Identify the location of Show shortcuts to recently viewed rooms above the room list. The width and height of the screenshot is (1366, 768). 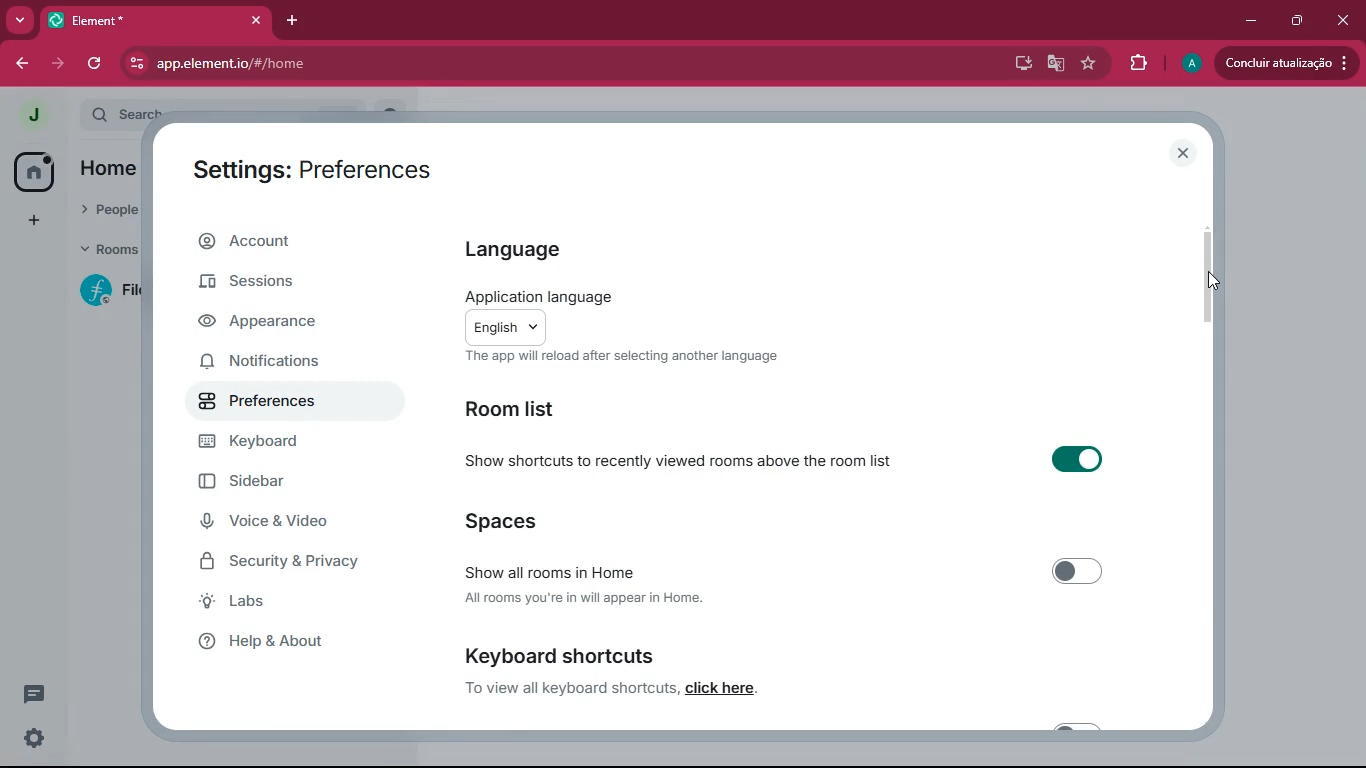
(810, 468).